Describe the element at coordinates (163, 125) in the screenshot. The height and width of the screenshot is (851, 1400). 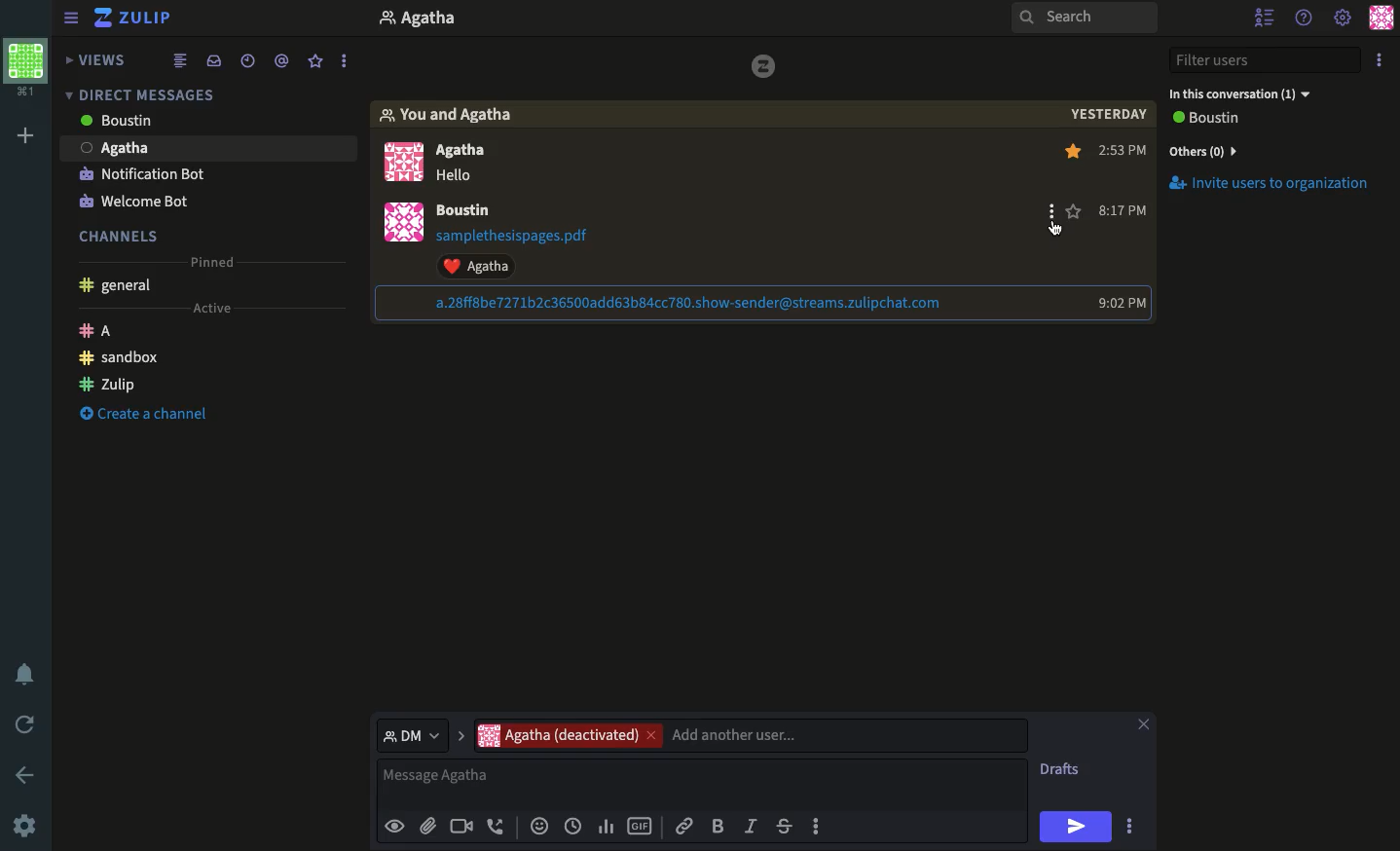
I see `Users` at that location.